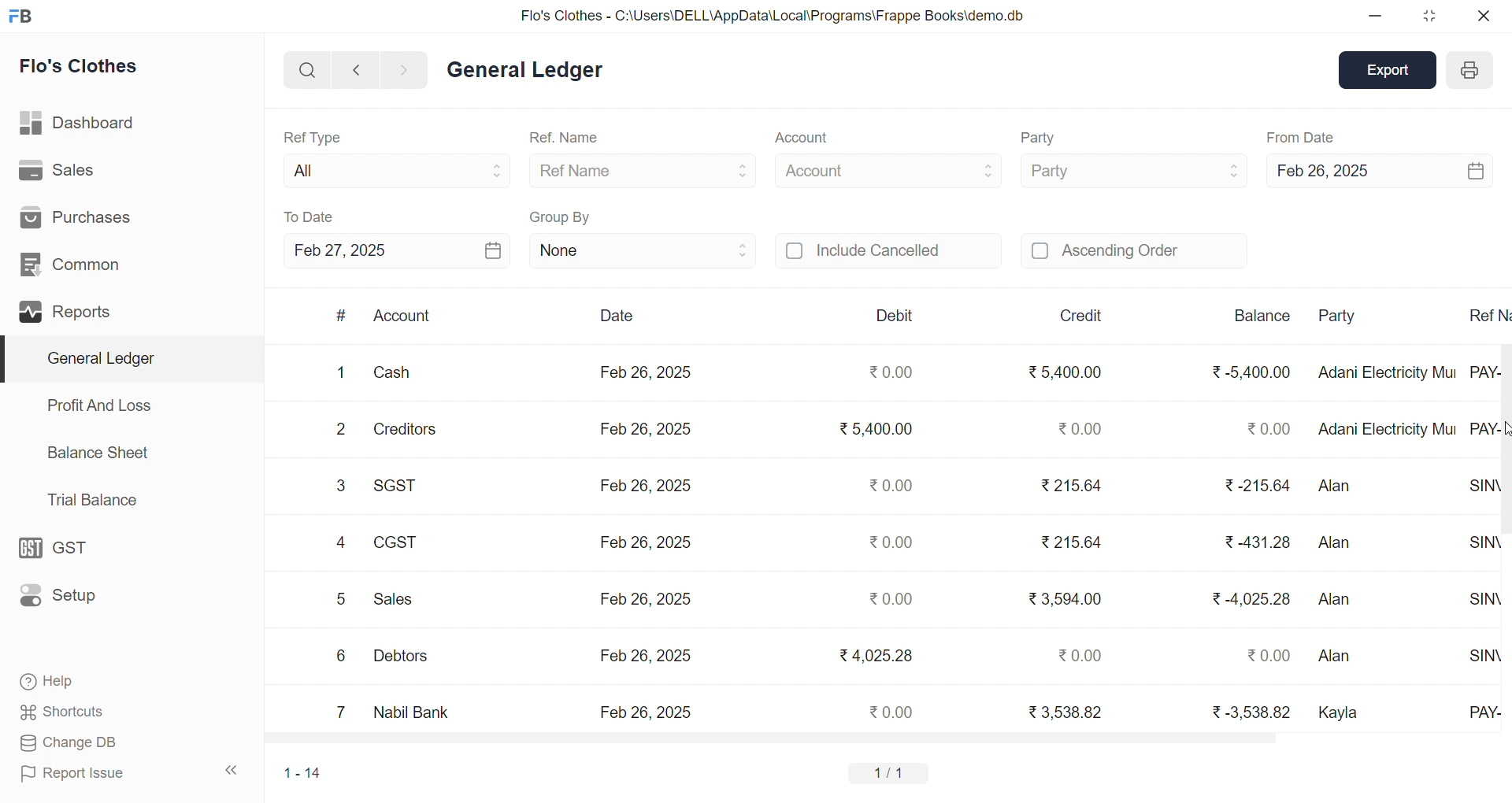 This screenshot has width=1512, height=803. What do you see at coordinates (1469, 72) in the screenshot?
I see `PRINT` at bounding box center [1469, 72].